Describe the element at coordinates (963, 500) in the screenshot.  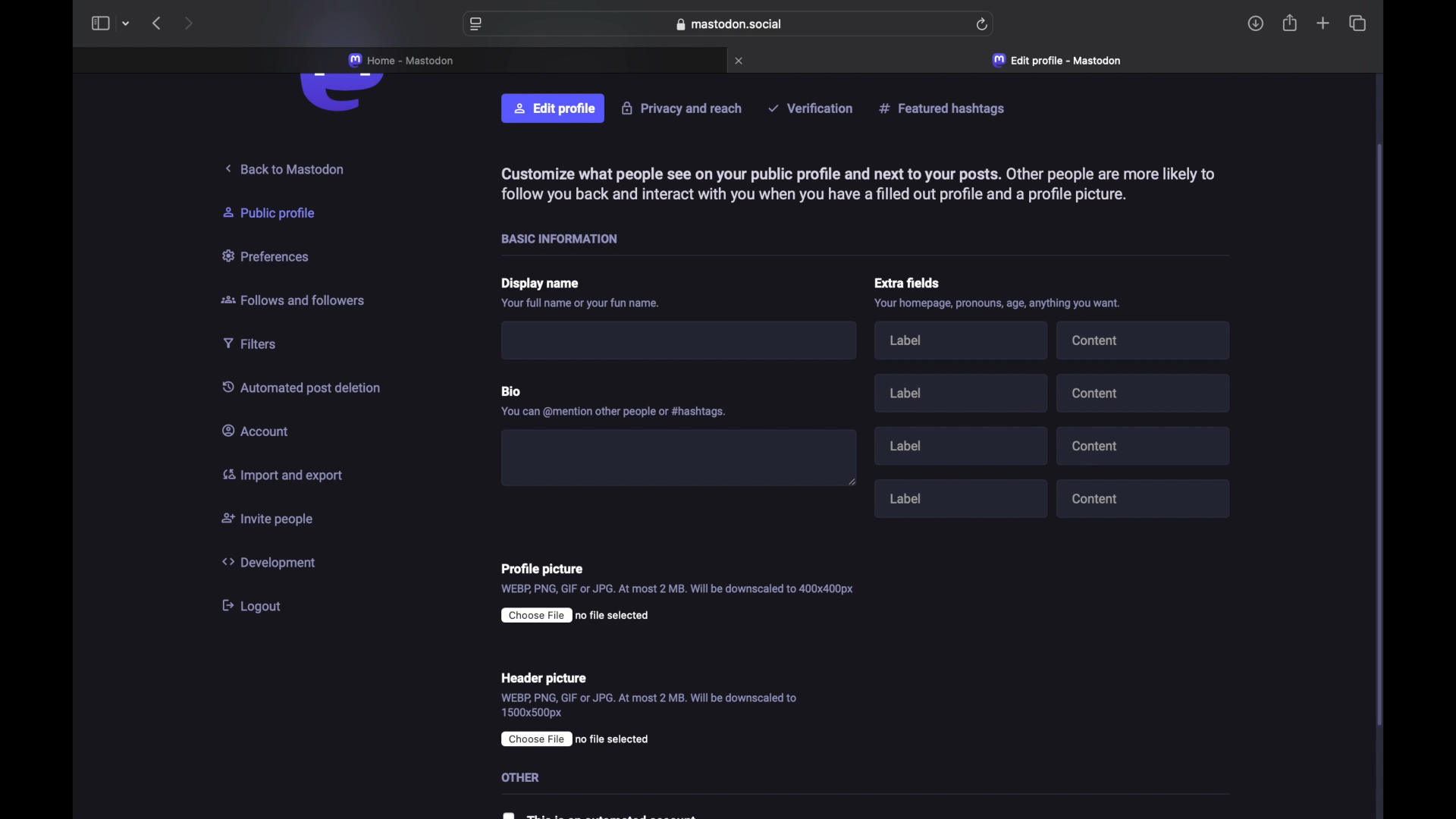
I see `label` at that location.